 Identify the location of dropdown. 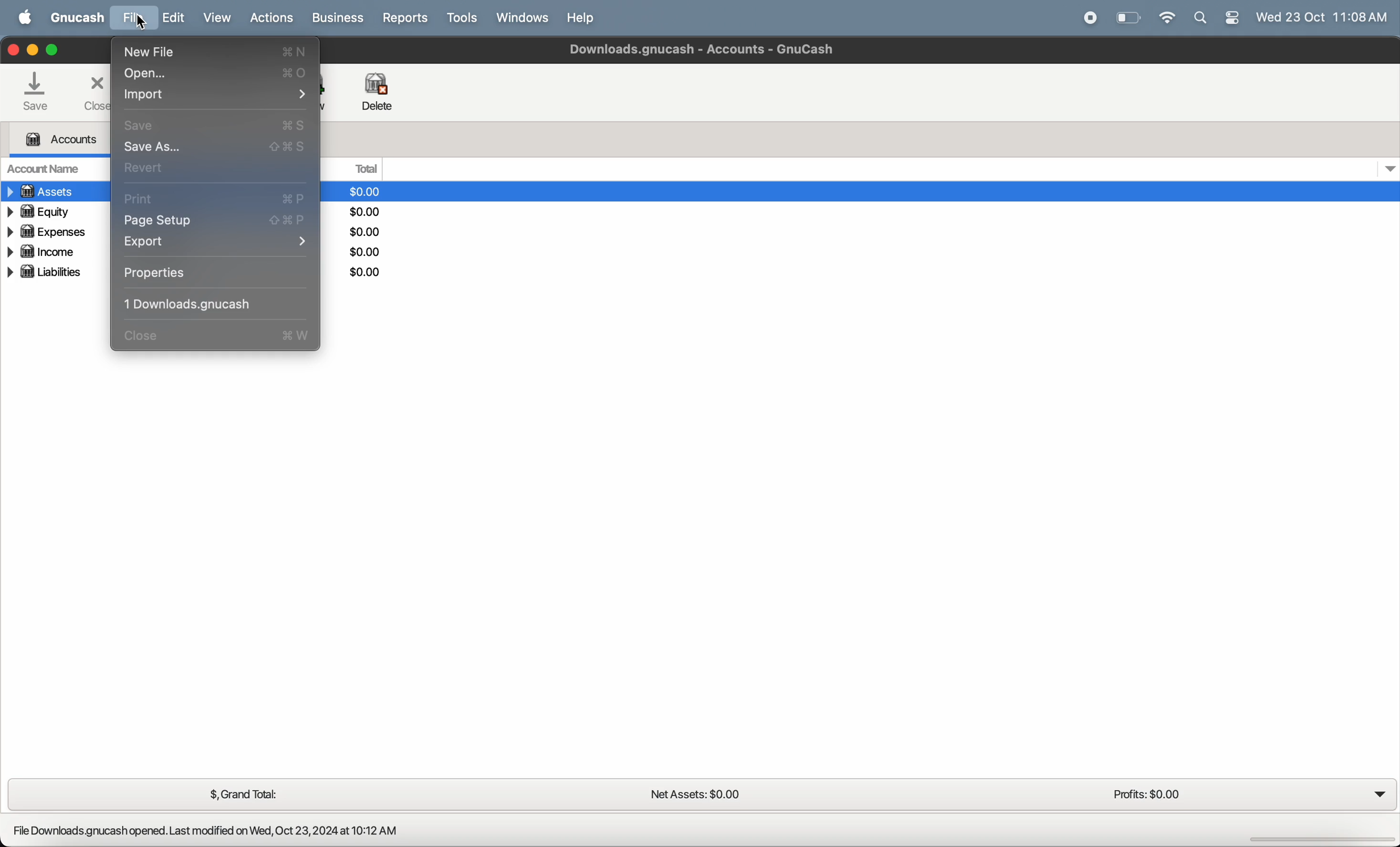
(1381, 793).